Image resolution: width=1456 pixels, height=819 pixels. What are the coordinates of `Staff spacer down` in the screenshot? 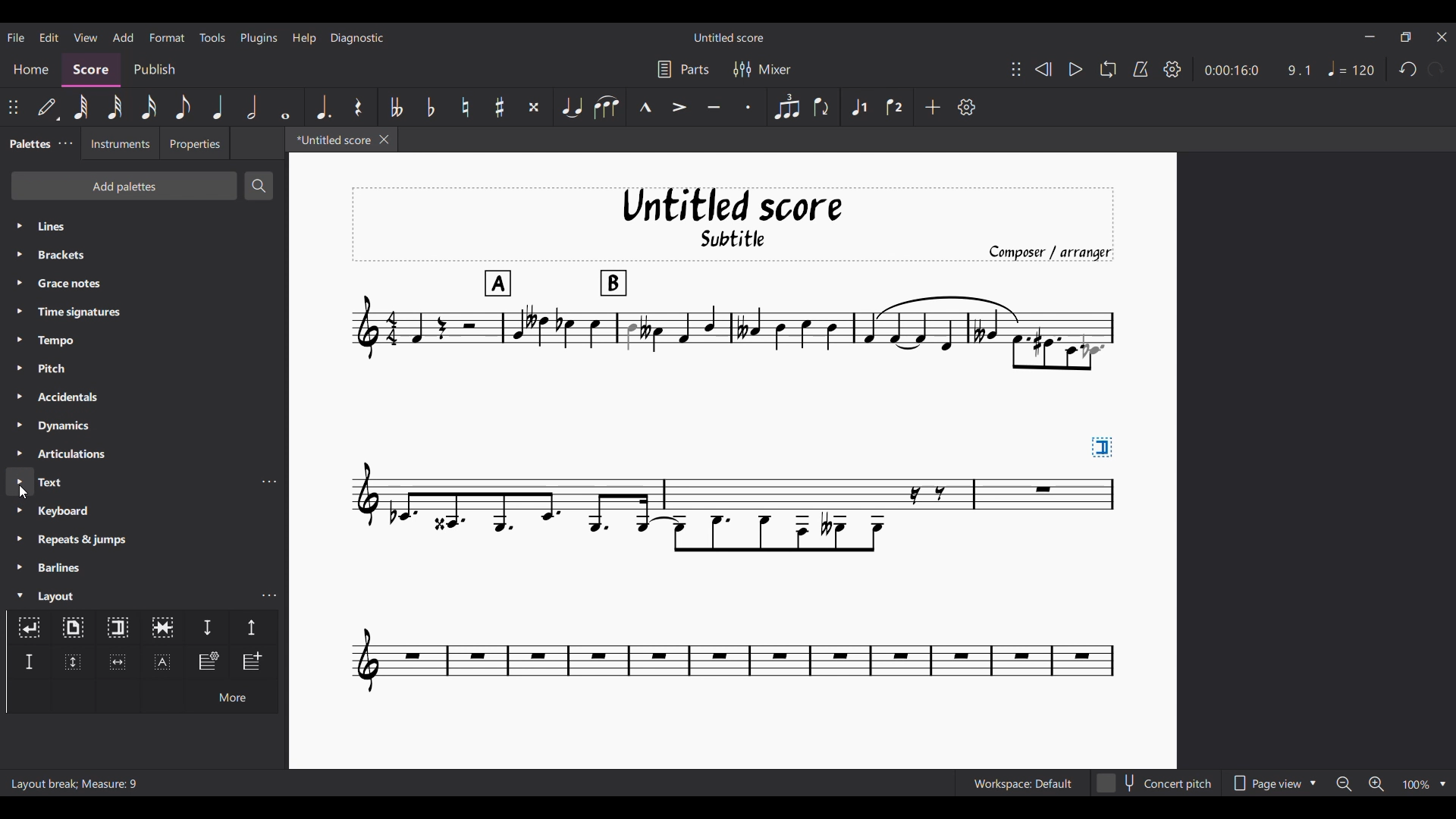 It's located at (207, 627).